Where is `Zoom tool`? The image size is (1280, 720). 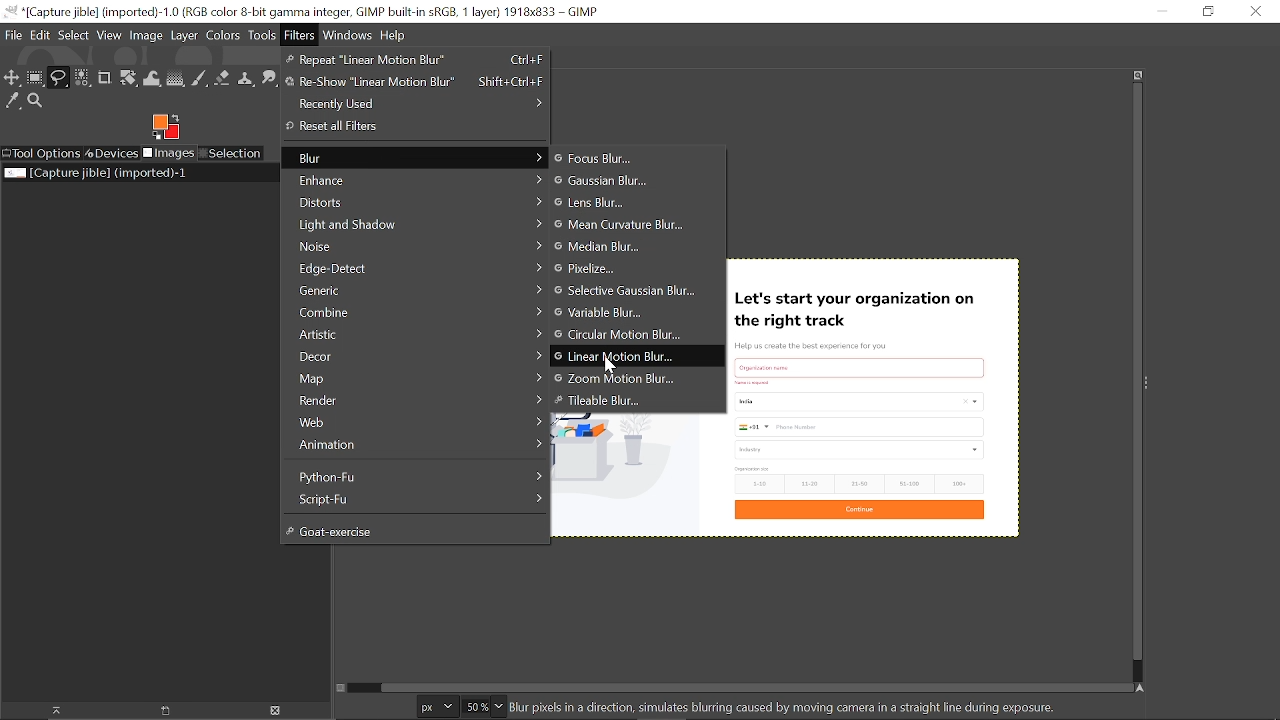 Zoom tool is located at coordinates (38, 103).